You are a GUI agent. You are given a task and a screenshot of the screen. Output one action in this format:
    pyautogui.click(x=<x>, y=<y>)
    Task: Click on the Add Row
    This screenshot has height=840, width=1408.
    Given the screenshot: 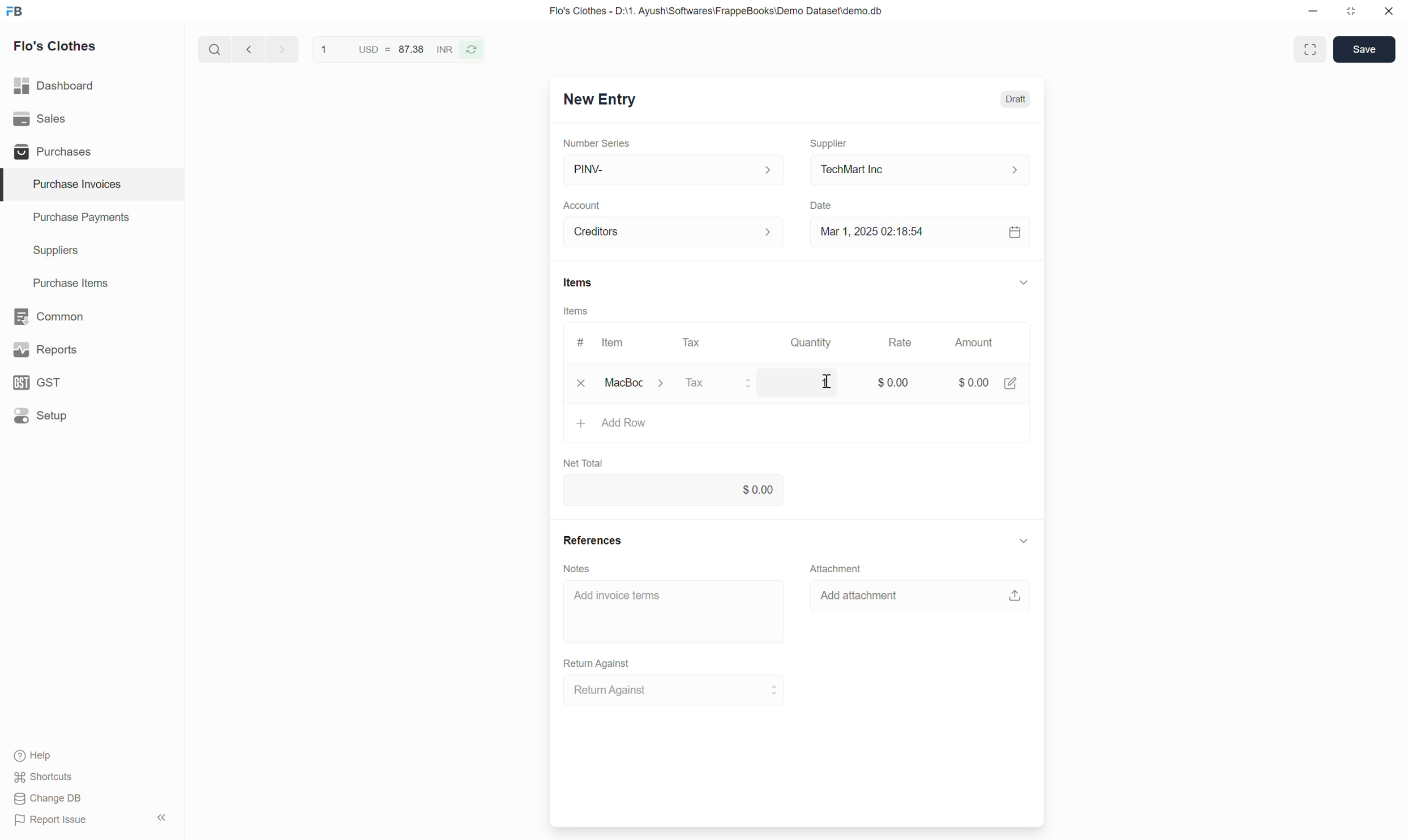 What is the action you would take?
    pyautogui.click(x=798, y=427)
    